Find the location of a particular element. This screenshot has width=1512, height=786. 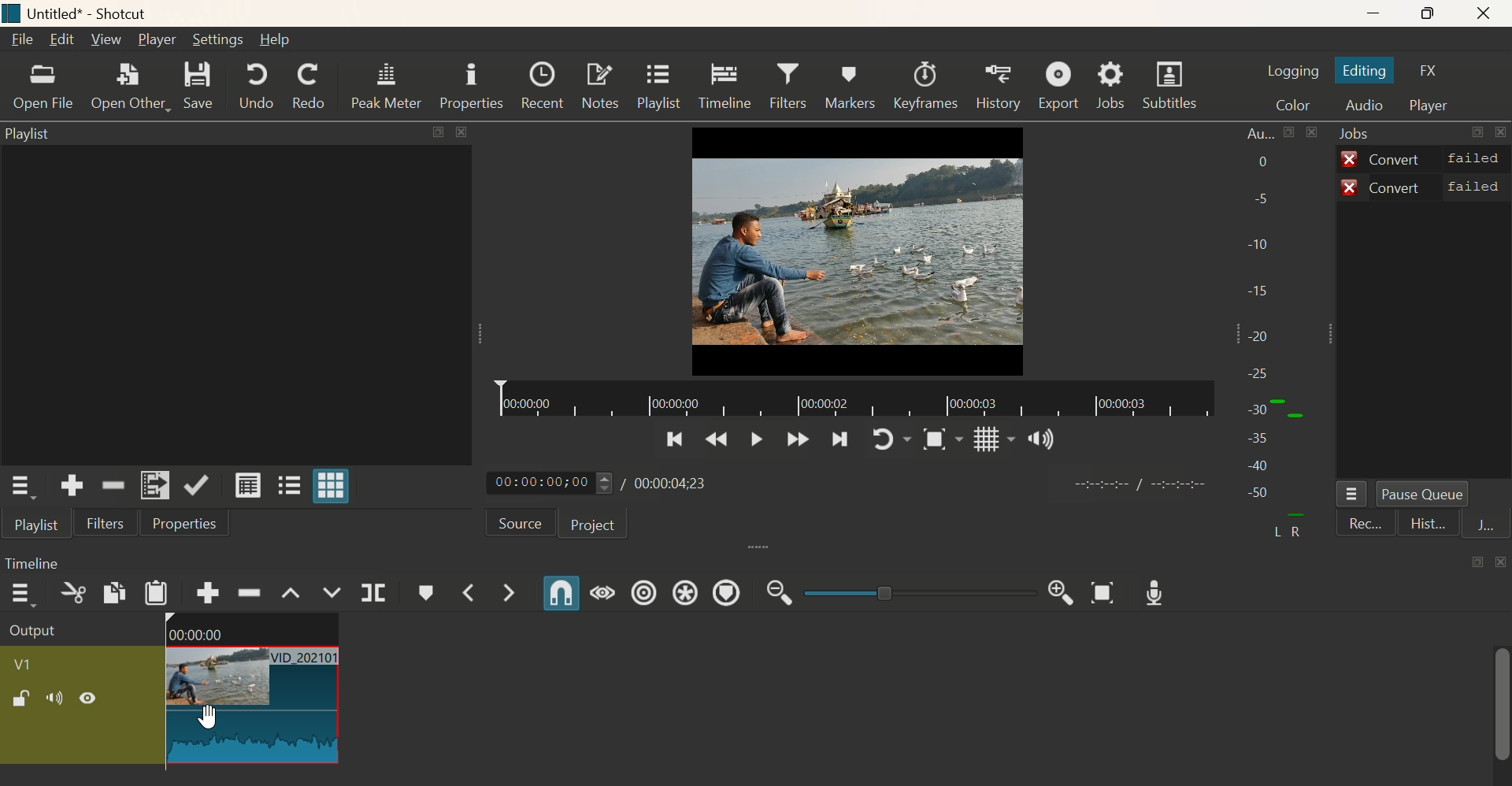

 is located at coordinates (684, 595).